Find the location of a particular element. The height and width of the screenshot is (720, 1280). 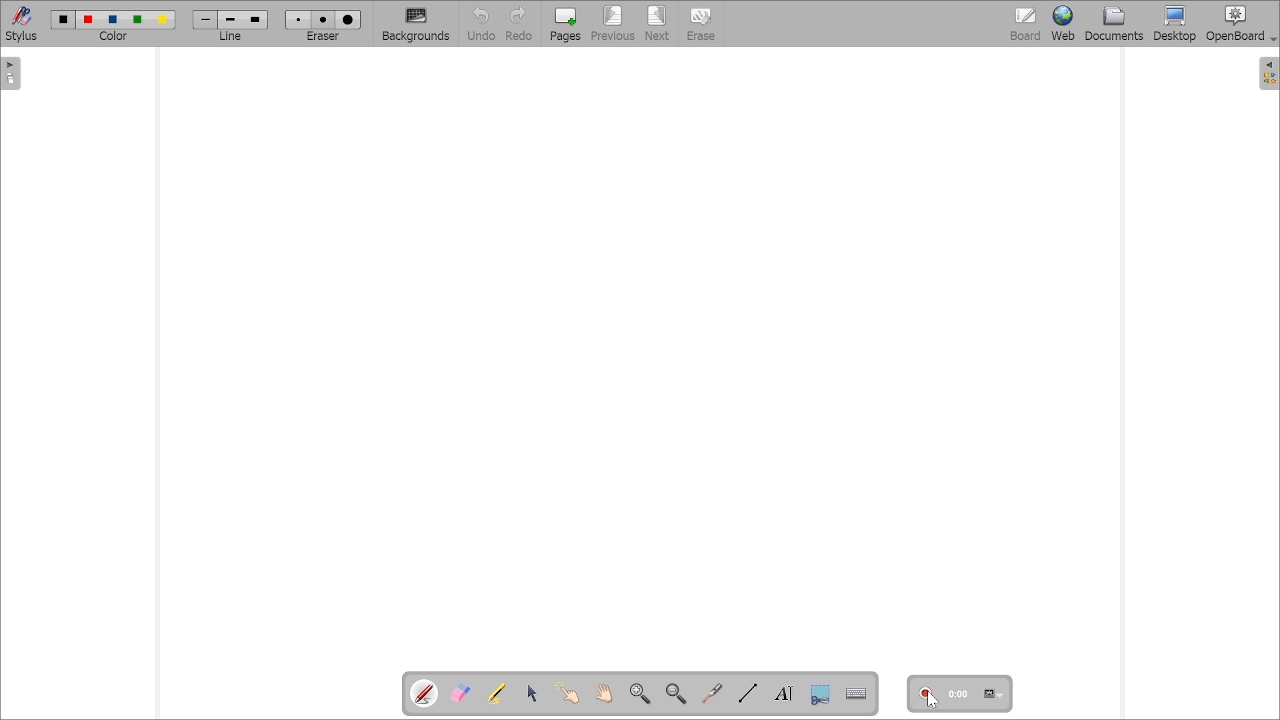

OpenBoard is located at coordinates (1242, 24).